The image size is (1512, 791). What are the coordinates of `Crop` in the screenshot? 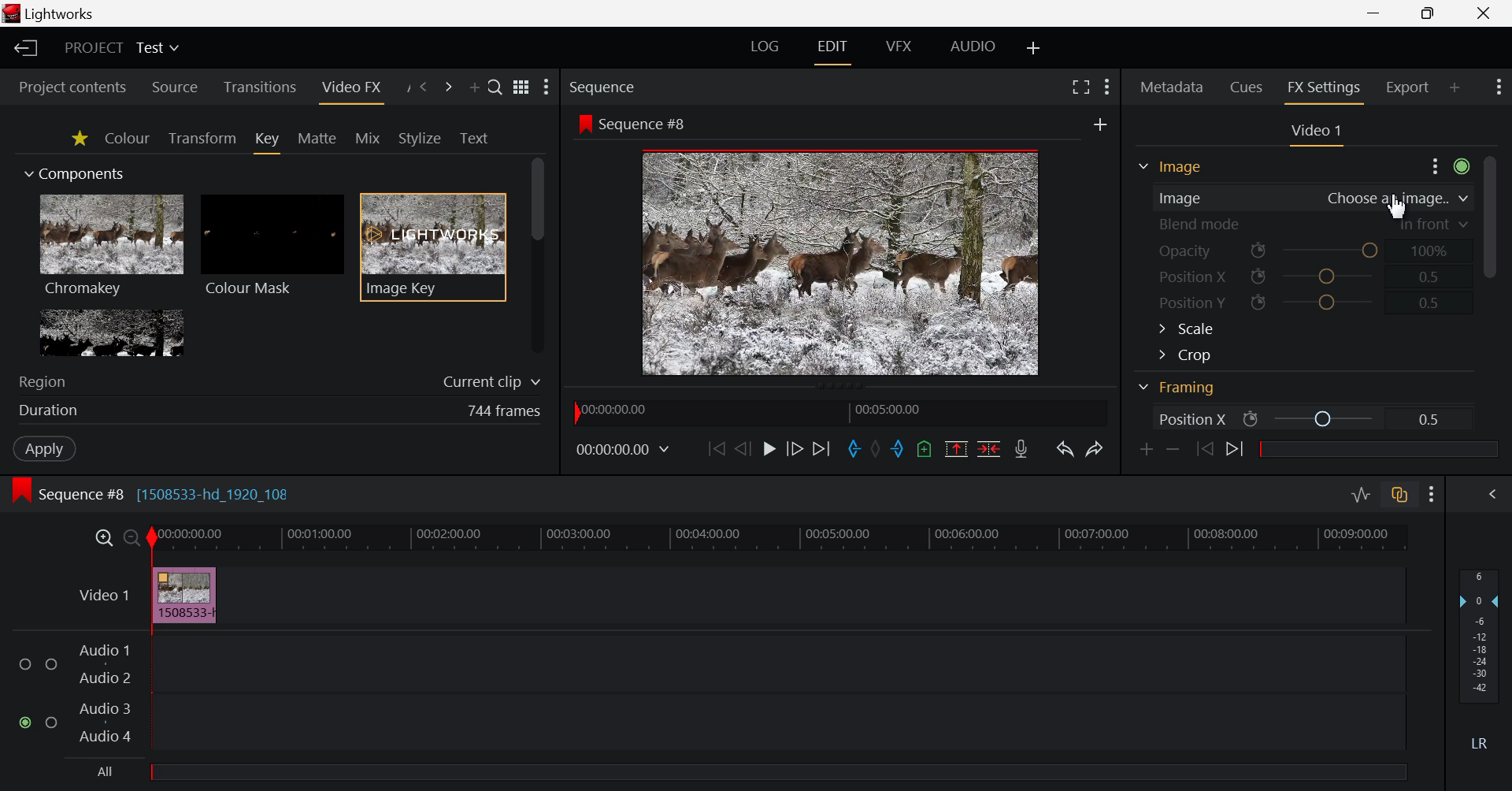 It's located at (1255, 354).